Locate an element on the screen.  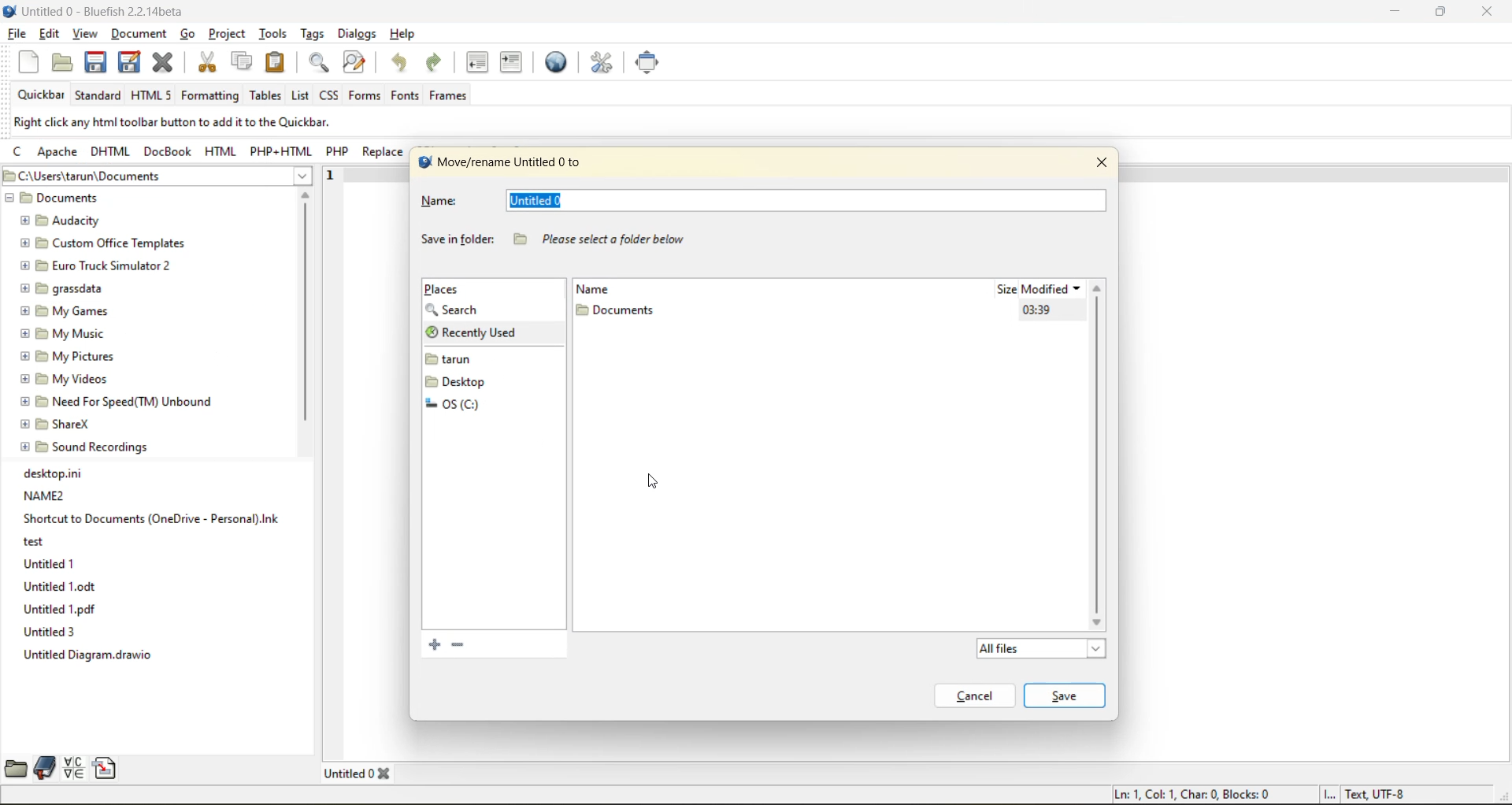
name is located at coordinates (454, 202).